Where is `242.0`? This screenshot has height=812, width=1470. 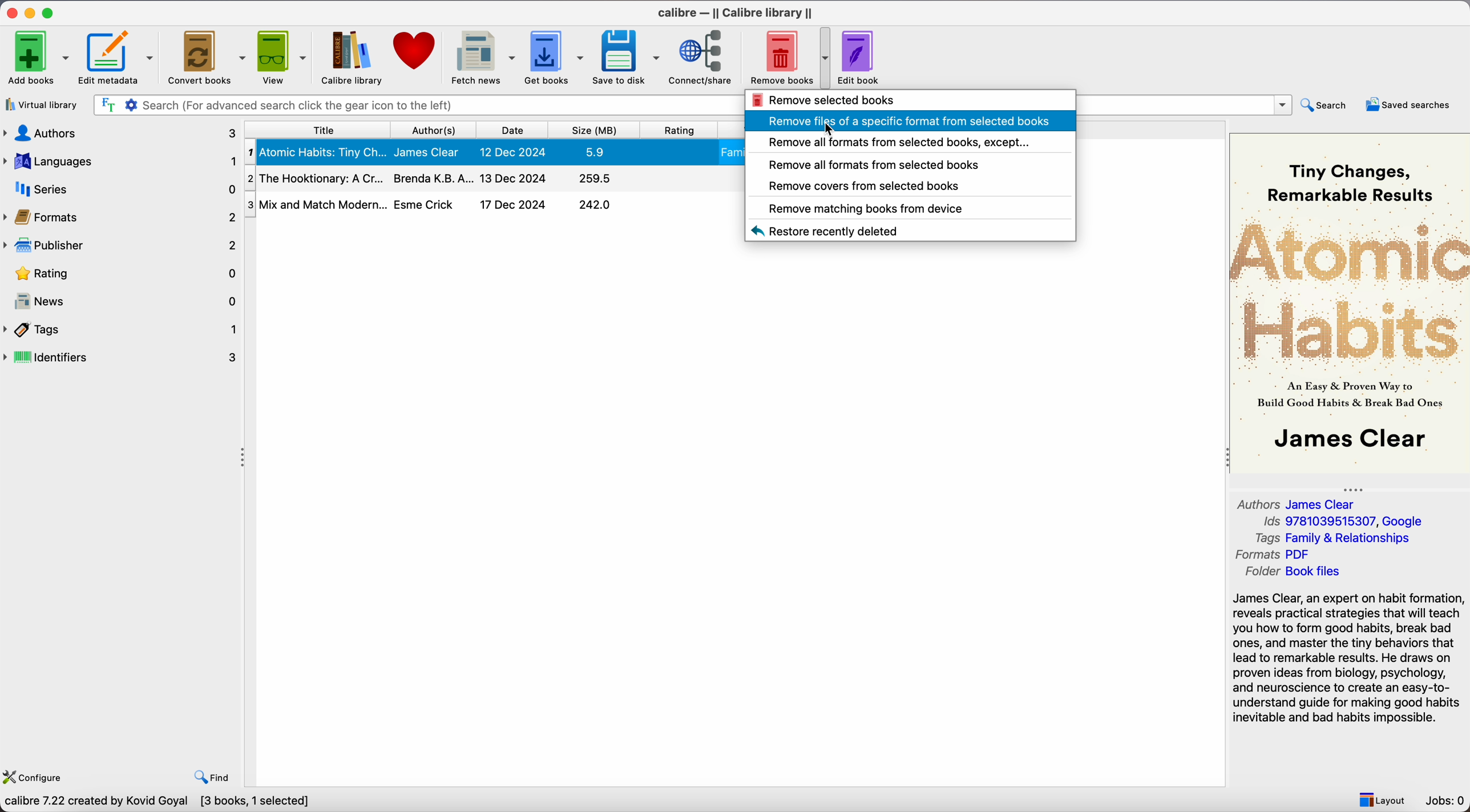 242.0 is located at coordinates (595, 206).